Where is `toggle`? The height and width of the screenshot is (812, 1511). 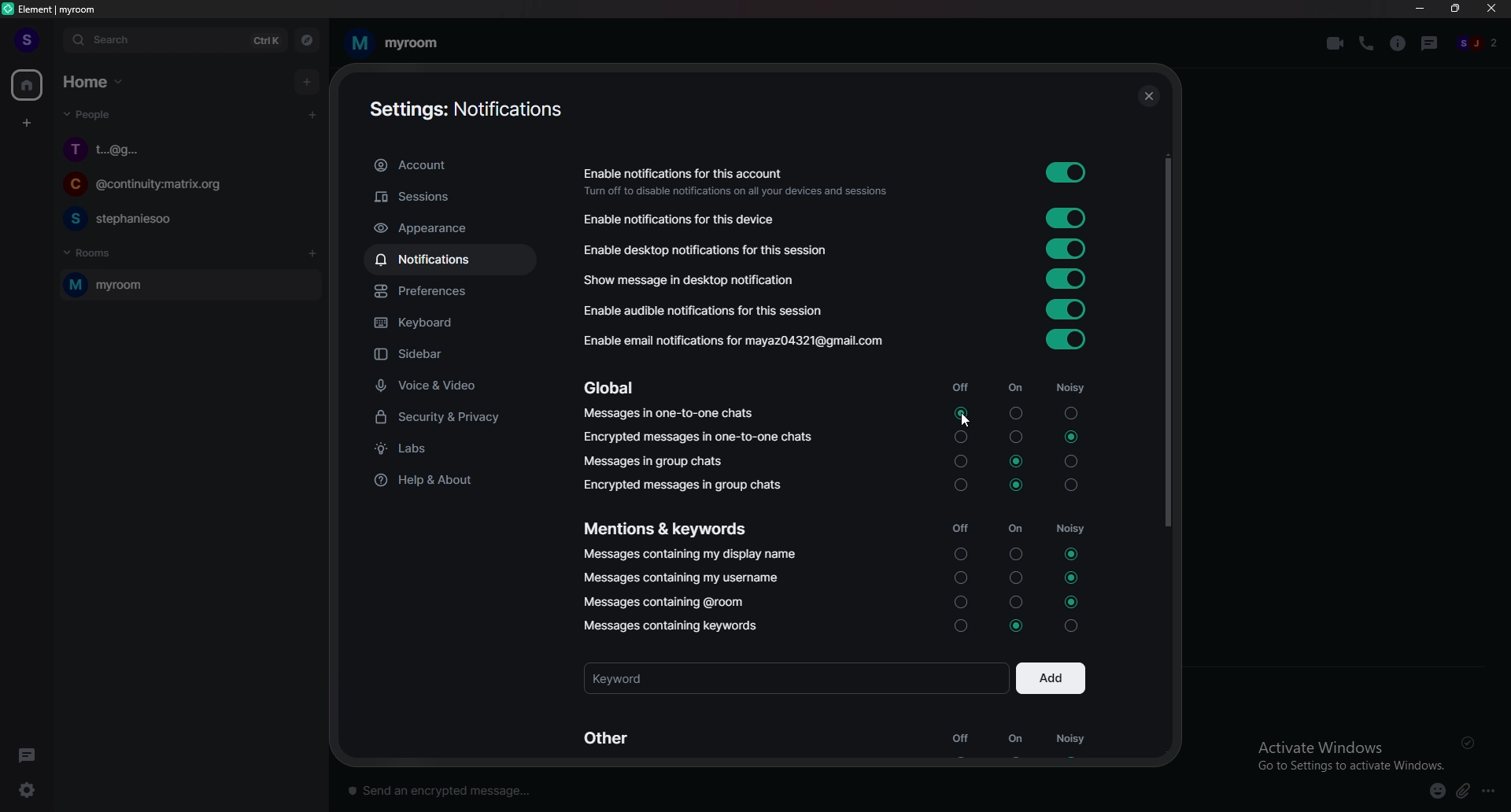
toggle is located at coordinates (1068, 248).